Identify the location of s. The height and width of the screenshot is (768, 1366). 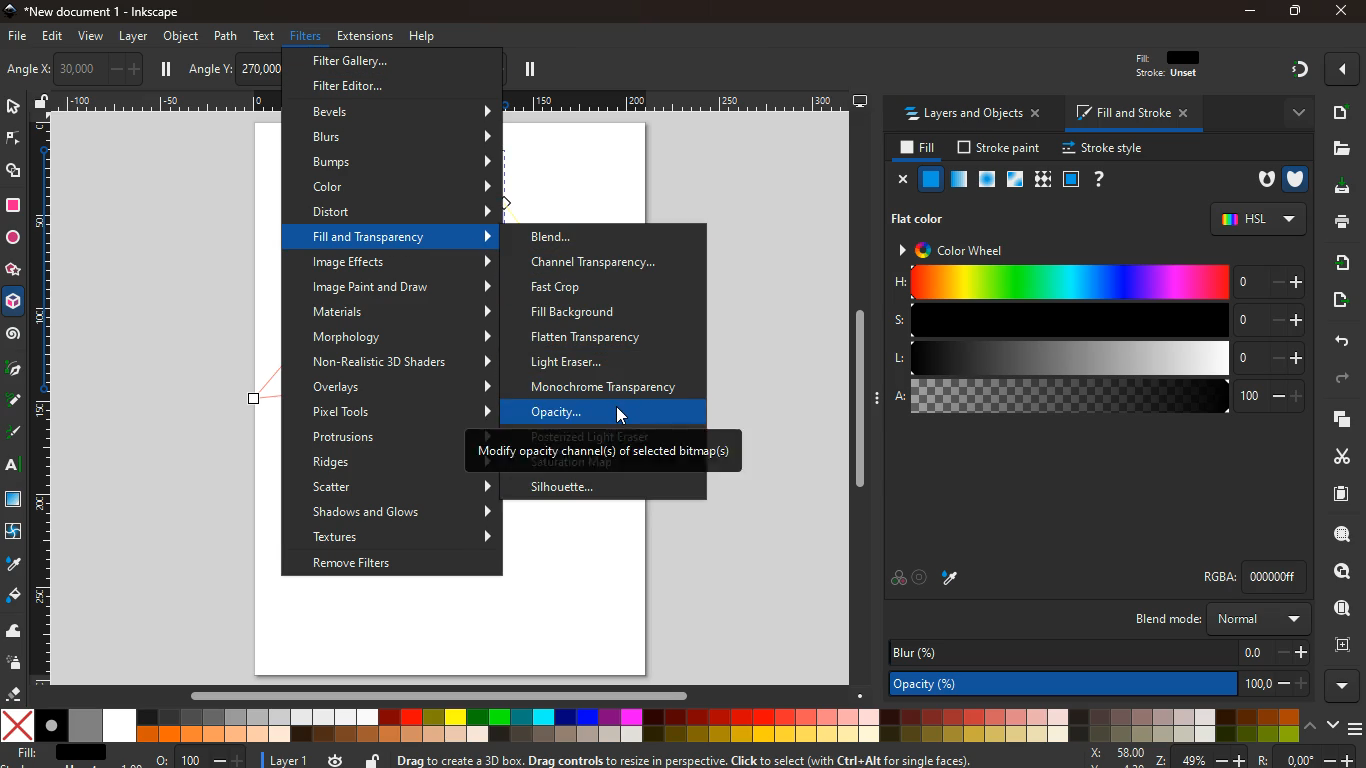
(1097, 321).